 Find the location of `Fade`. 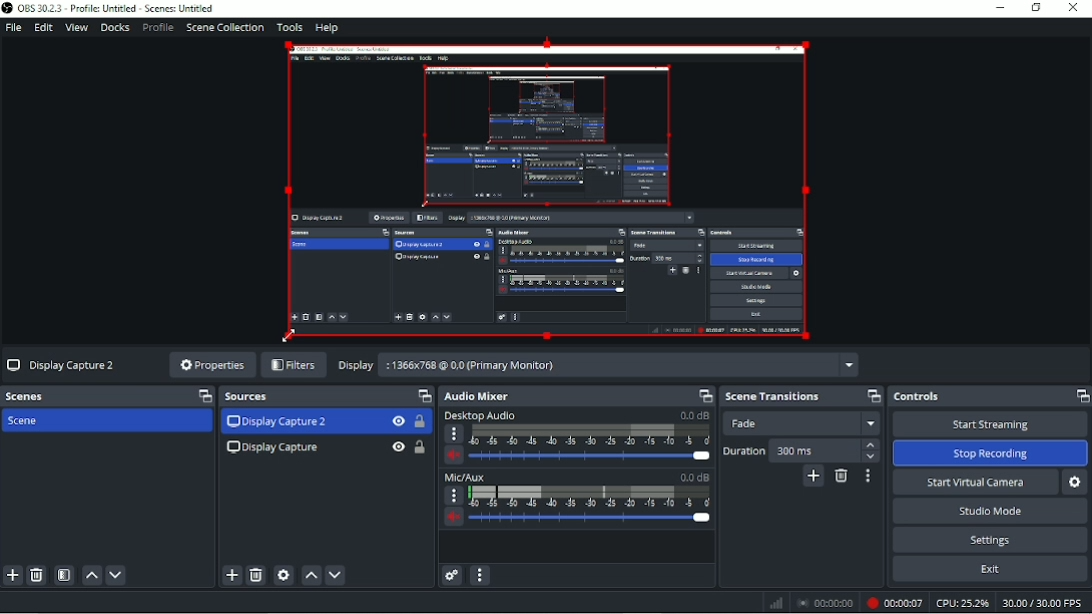

Fade is located at coordinates (805, 423).